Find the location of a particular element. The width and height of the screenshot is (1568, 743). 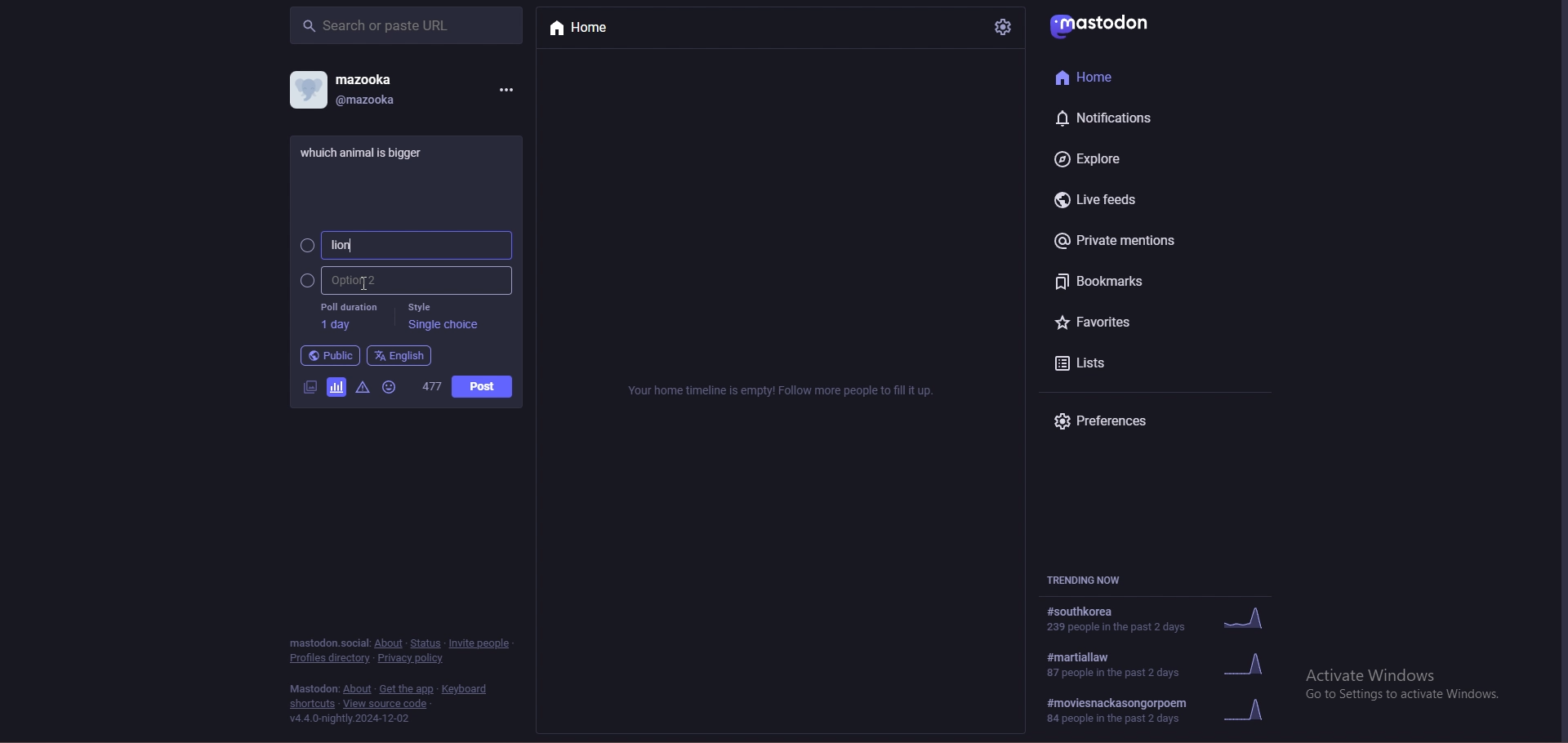

explore is located at coordinates (1111, 158).